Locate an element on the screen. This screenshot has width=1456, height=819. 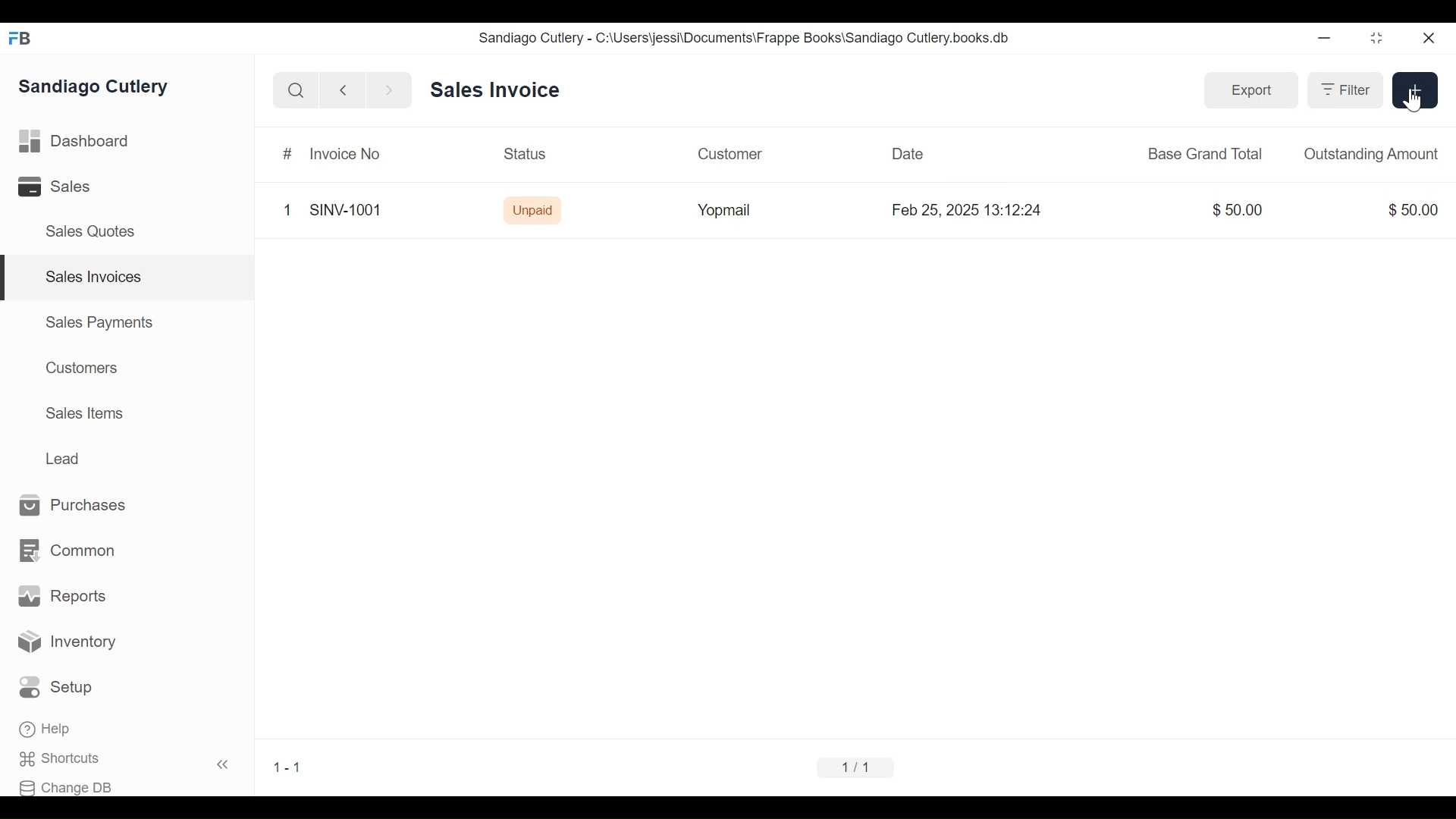
FB logo is located at coordinates (20, 38).